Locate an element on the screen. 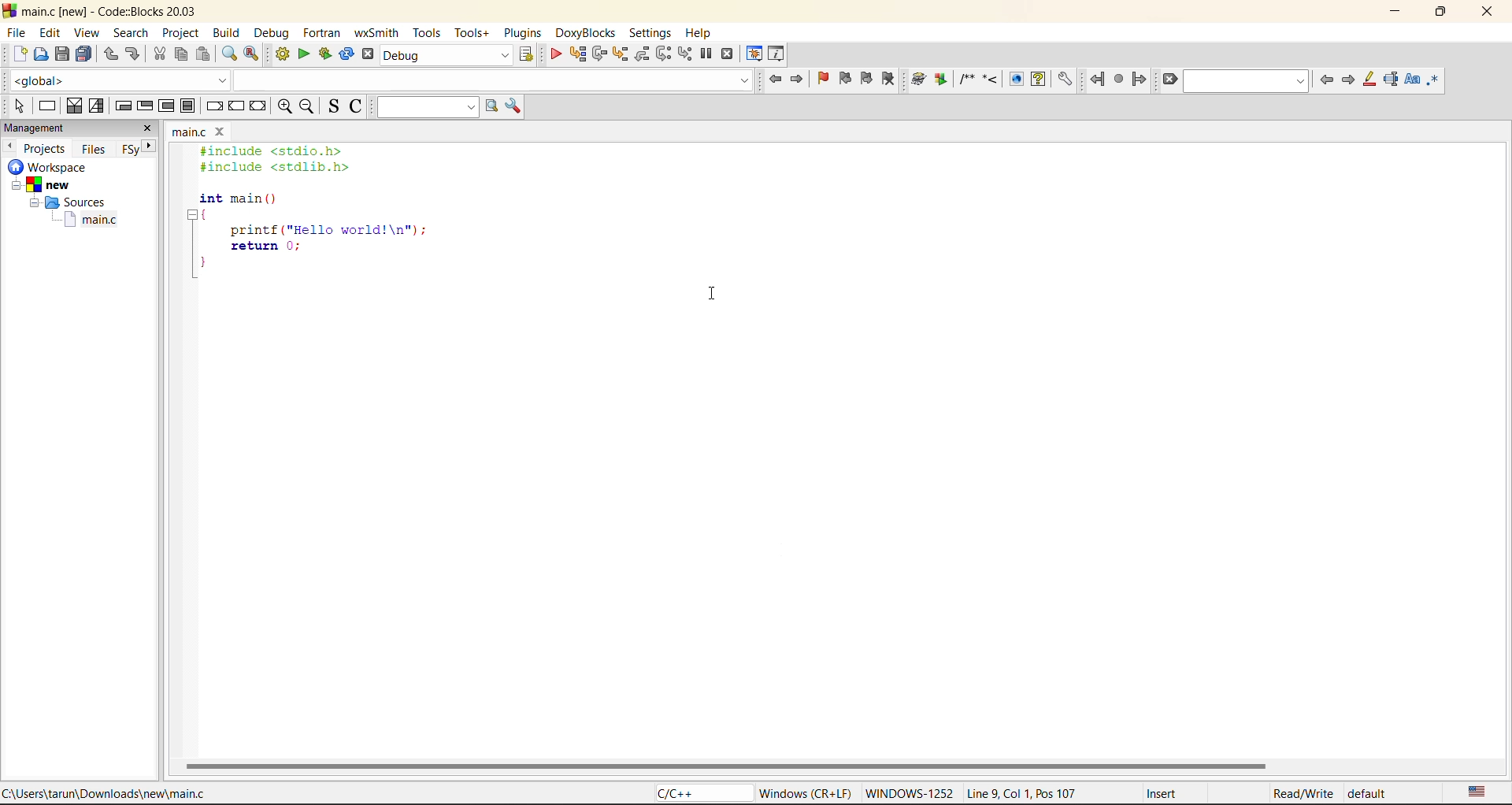  use regex is located at coordinates (1437, 79).